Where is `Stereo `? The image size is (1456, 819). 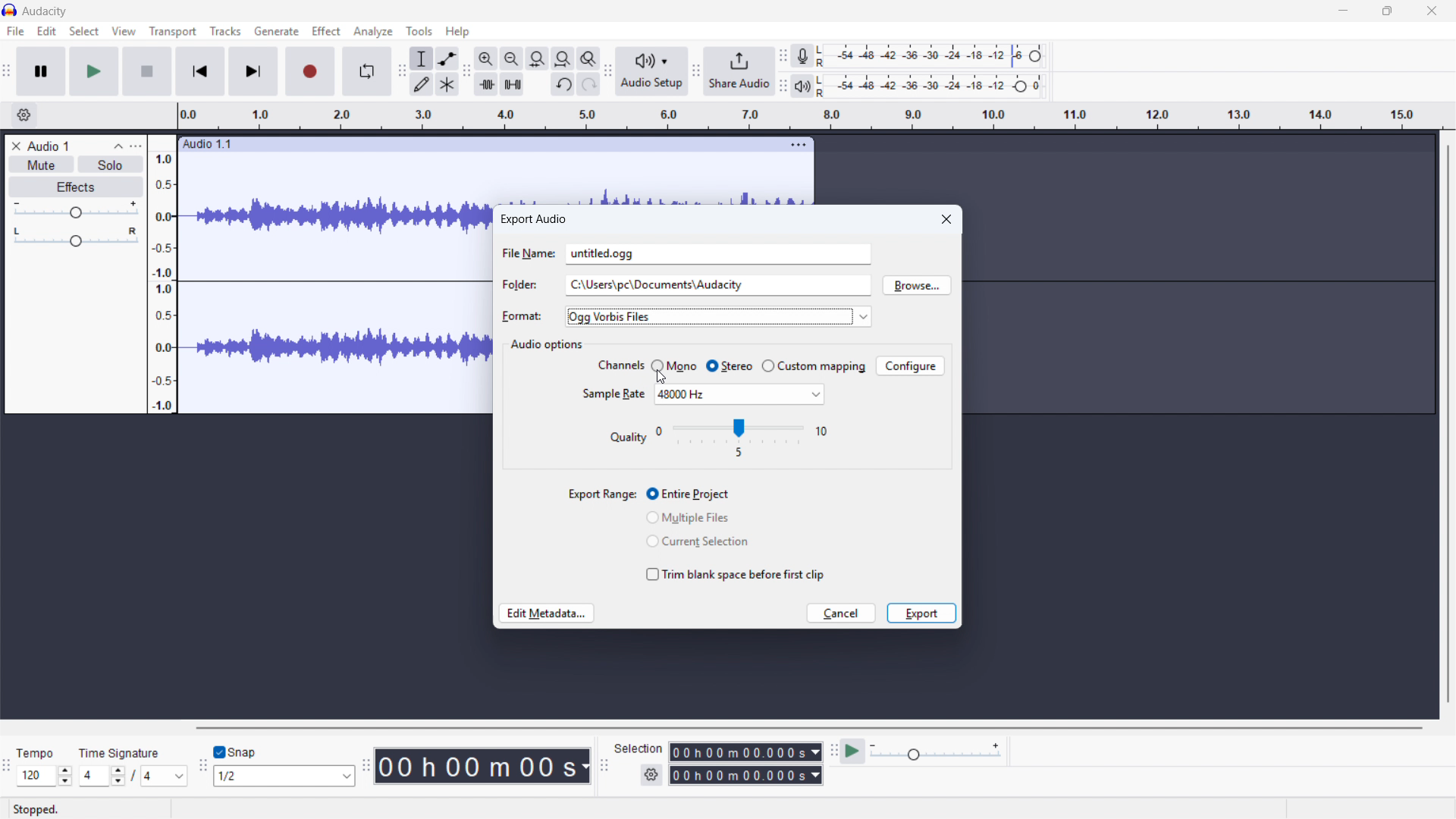
Stereo  is located at coordinates (730, 366).